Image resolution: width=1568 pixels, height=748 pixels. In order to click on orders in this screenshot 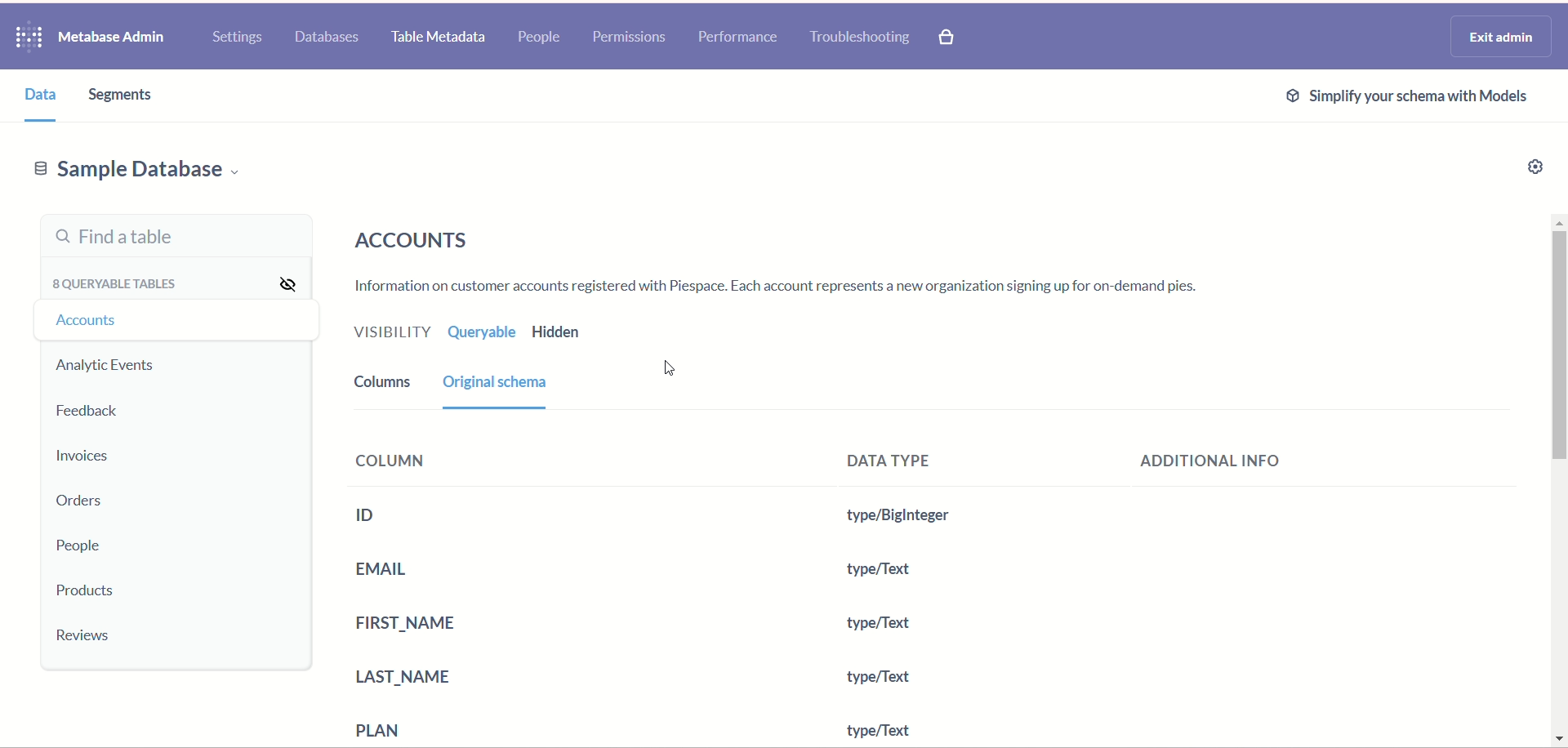, I will do `click(91, 501)`.